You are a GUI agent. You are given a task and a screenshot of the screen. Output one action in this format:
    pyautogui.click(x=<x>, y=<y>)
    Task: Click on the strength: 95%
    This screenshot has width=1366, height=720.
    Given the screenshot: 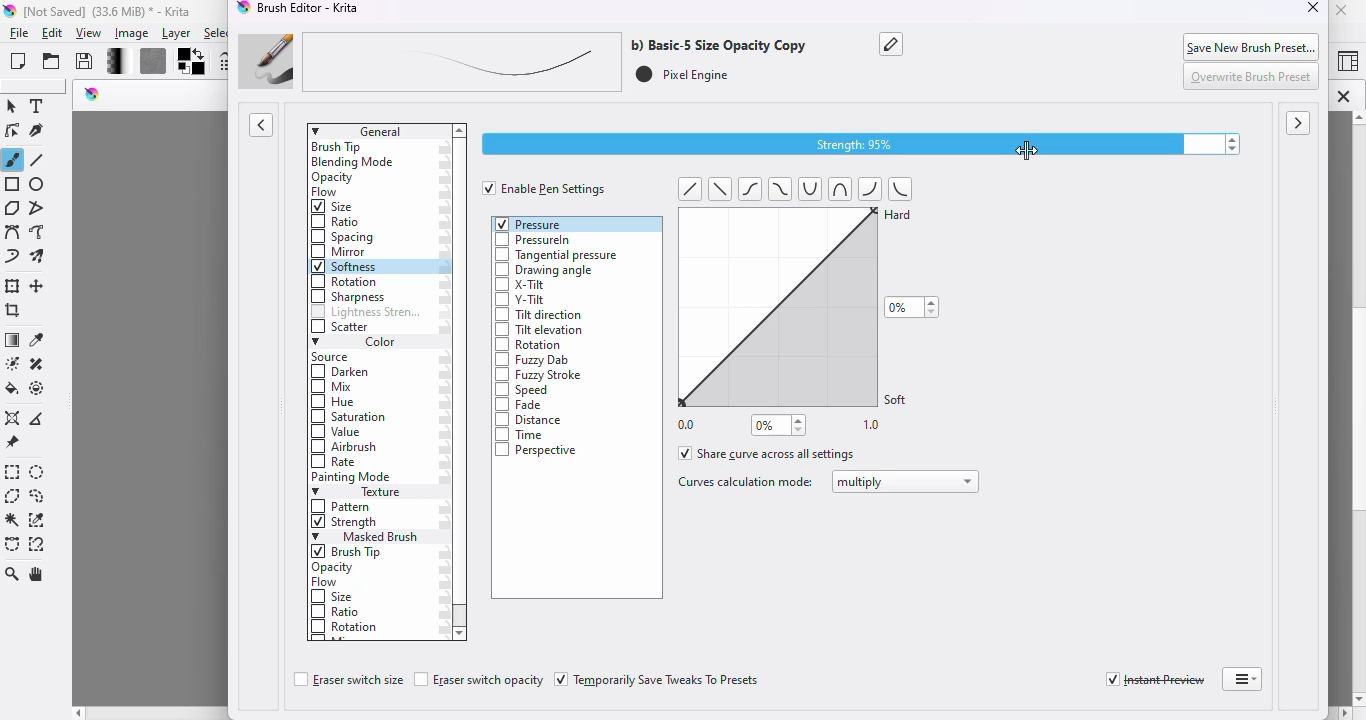 What is the action you would take?
    pyautogui.click(x=862, y=143)
    